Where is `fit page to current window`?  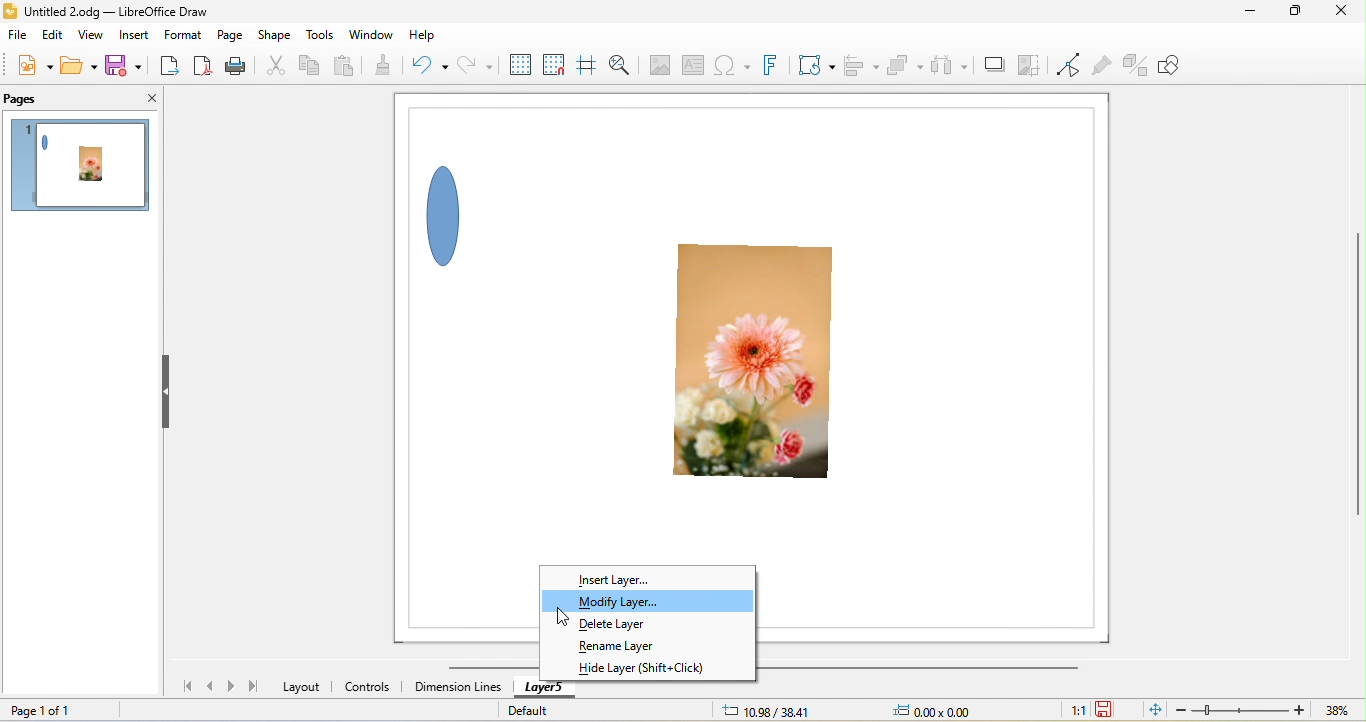
fit page to current window is located at coordinates (1153, 709).